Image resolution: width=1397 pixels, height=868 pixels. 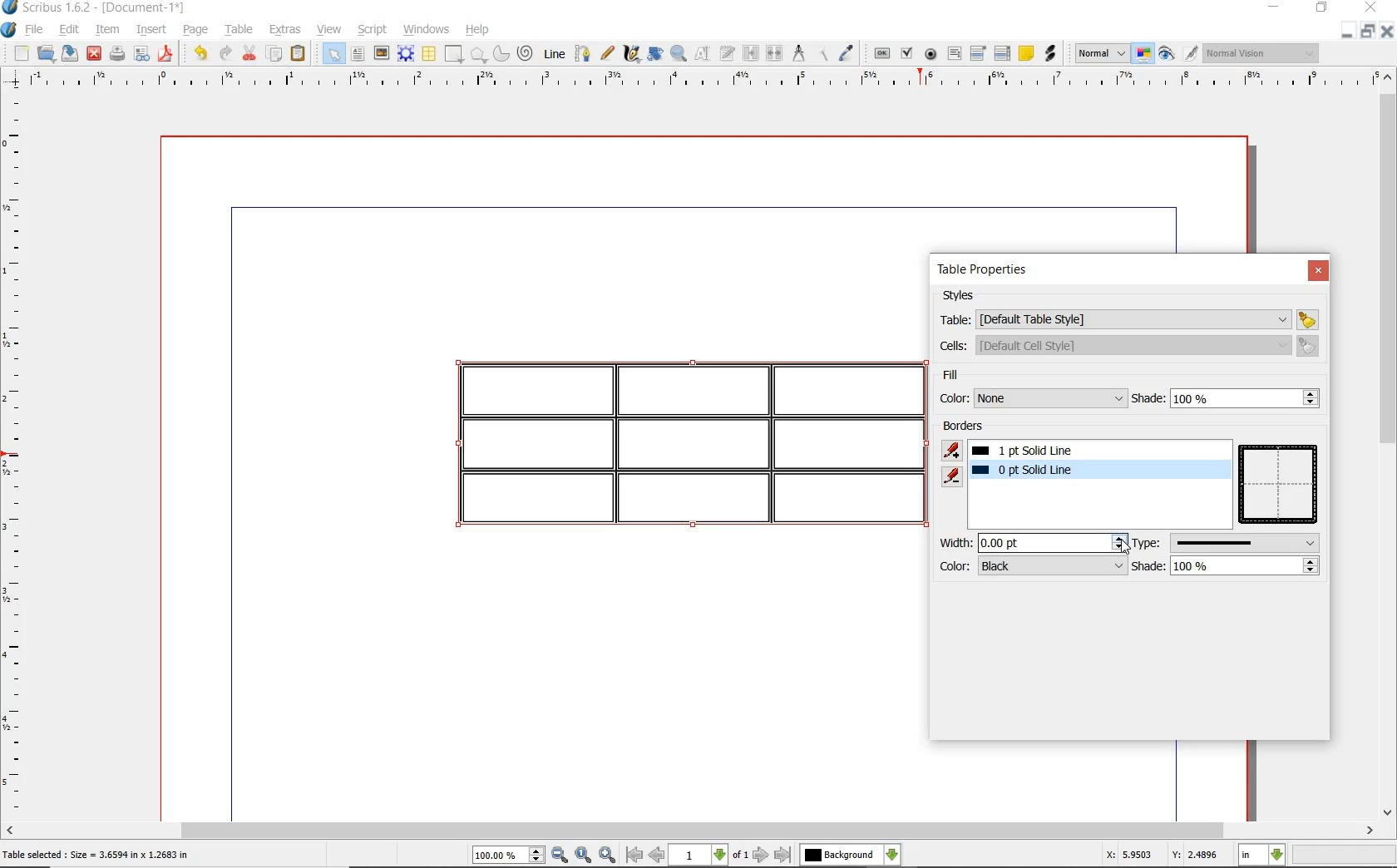 What do you see at coordinates (427, 29) in the screenshot?
I see `windows` at bounding box center [427, 29].